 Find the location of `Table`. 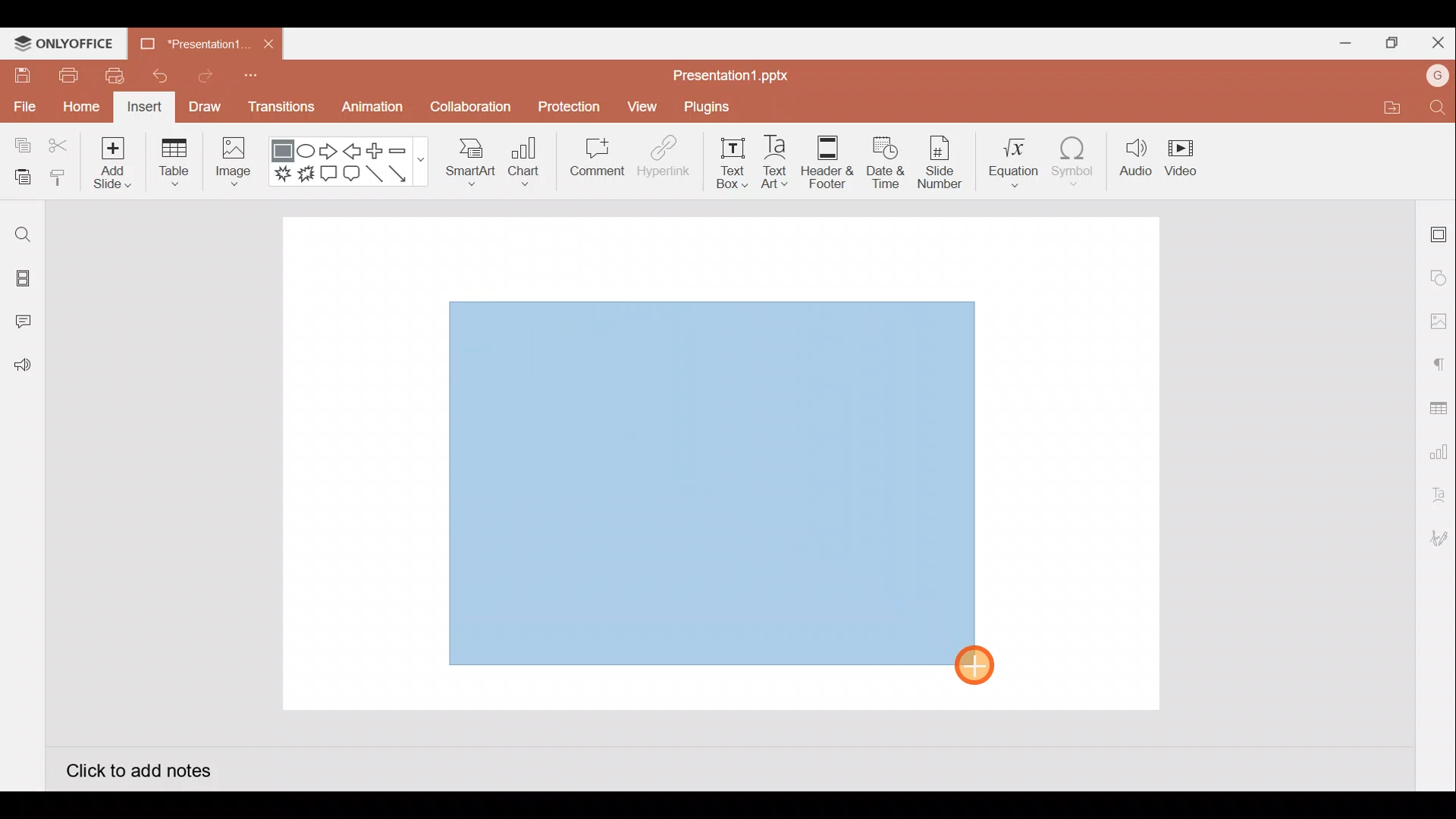

Table is located at coordinates (176, 164).